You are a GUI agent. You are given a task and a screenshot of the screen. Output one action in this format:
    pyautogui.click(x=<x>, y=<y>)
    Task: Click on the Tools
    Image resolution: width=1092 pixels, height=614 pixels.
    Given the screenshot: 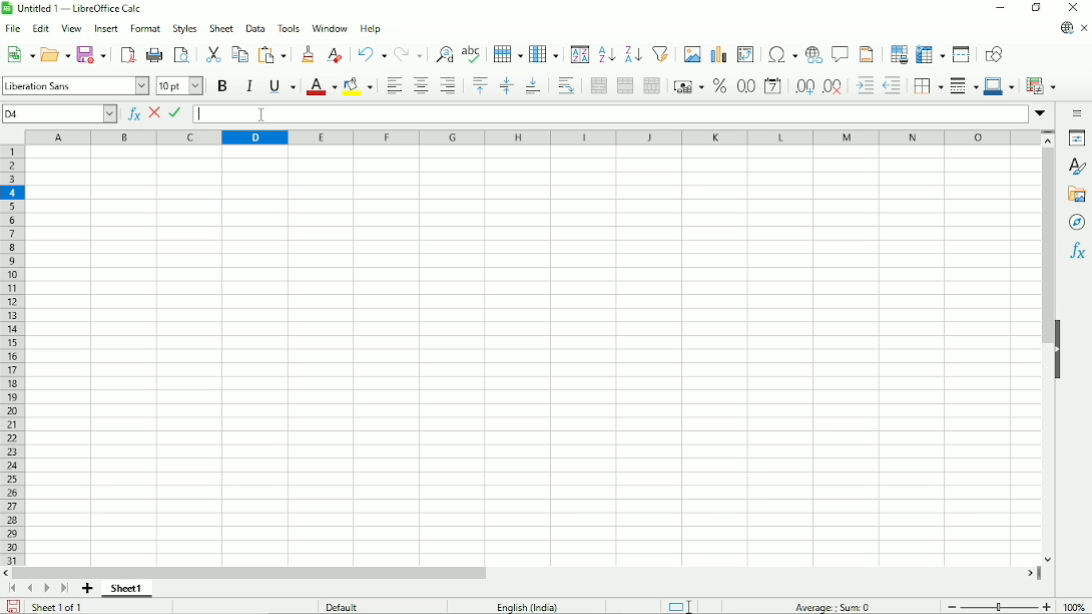 What is the action you would take?
    pyautogui.click(x=289, y=28)
    